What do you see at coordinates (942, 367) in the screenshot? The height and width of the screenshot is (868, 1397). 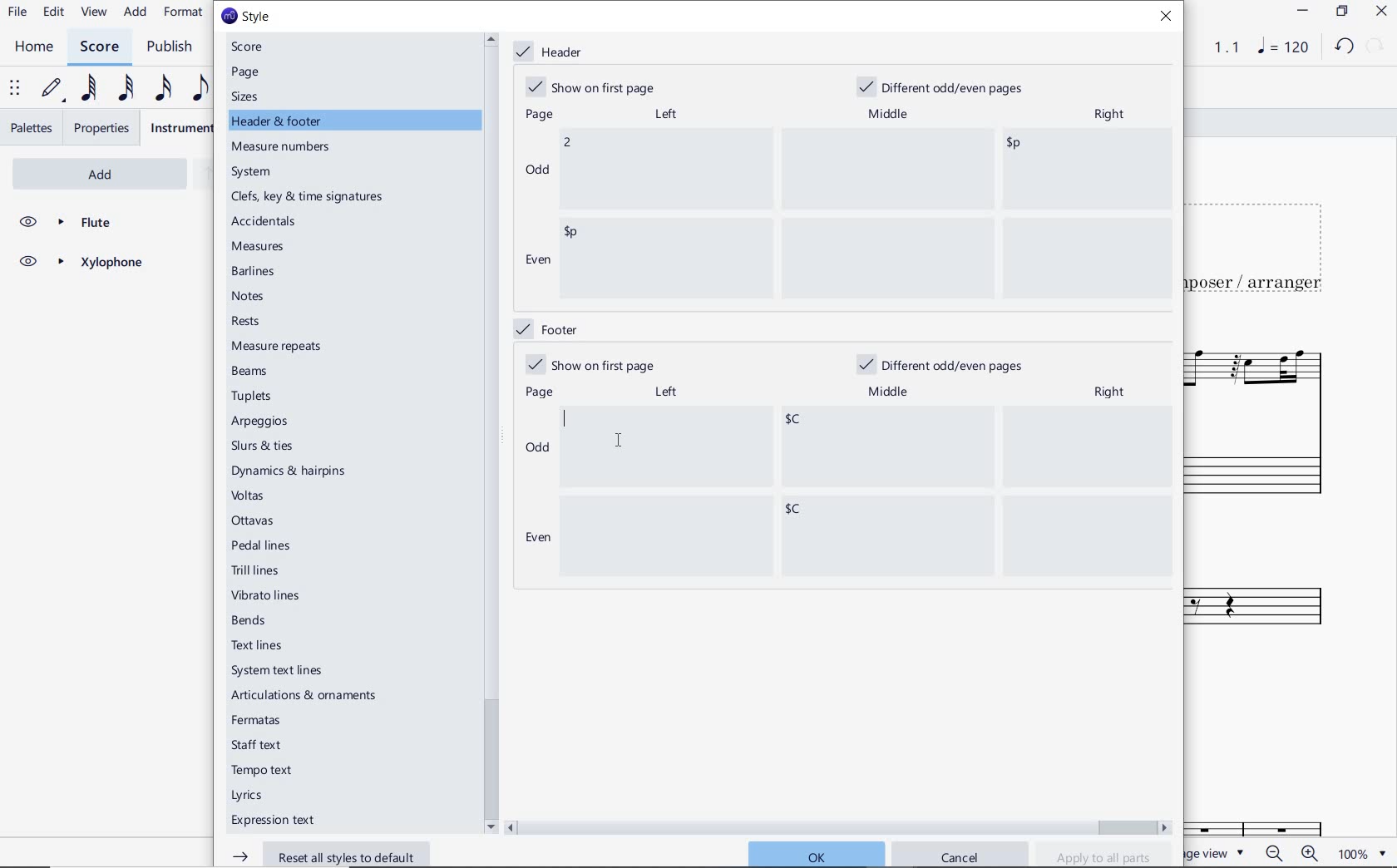 I see `different odd/even` at bounding box center [942, 367].